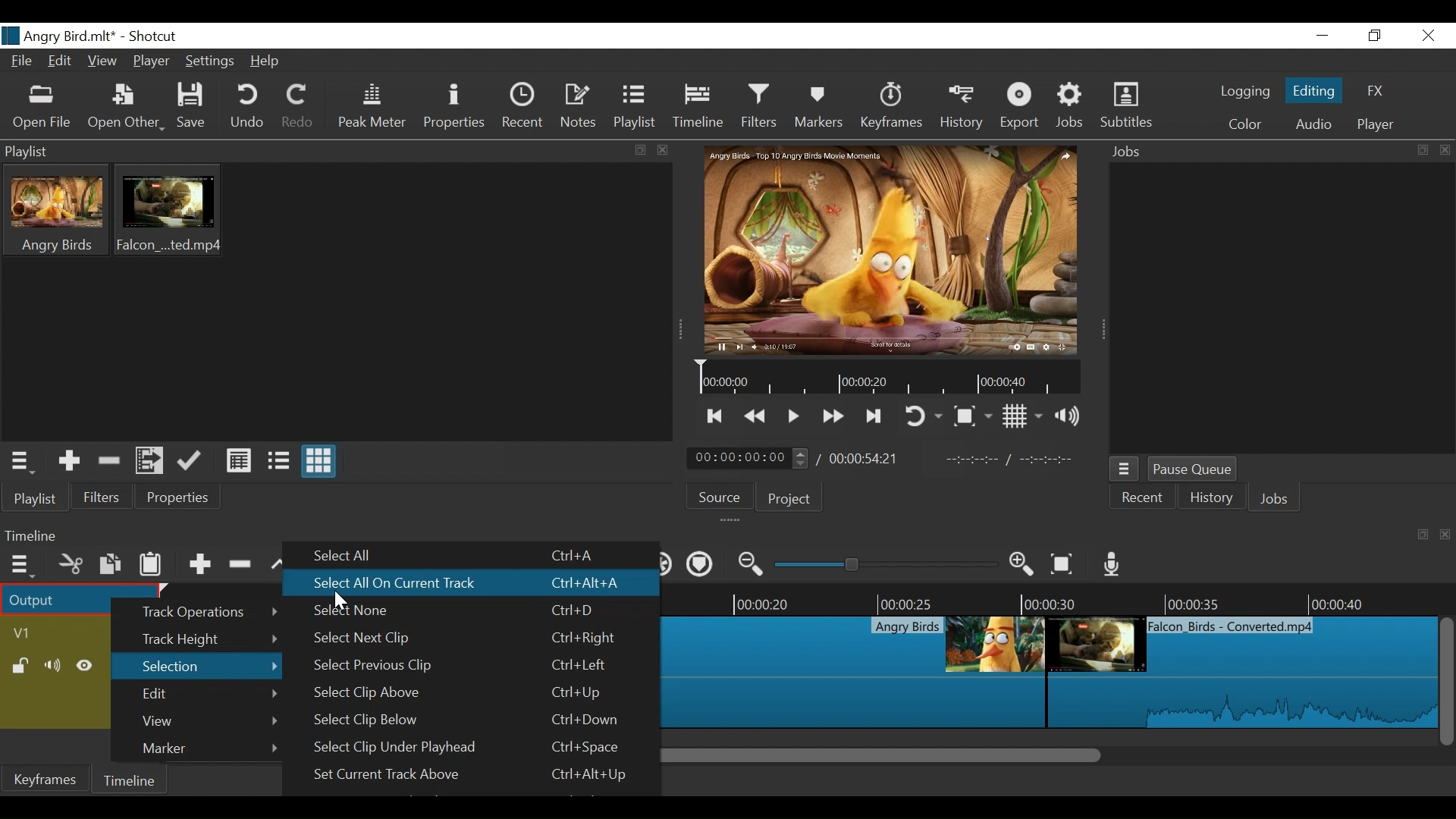  What do you see at coordinates (280, 564) in the screenshot?
I see `lift` at bounding box center [280, 564].